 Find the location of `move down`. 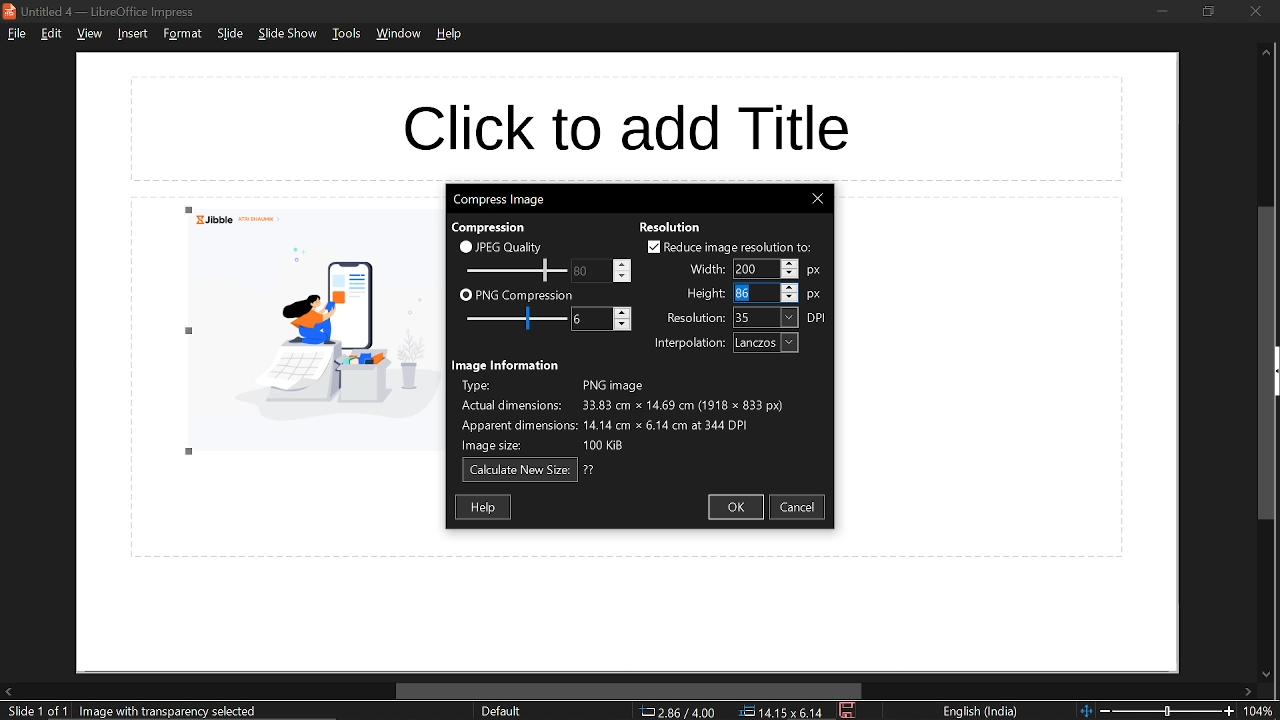

move down is located at coordinates (1264, 675).